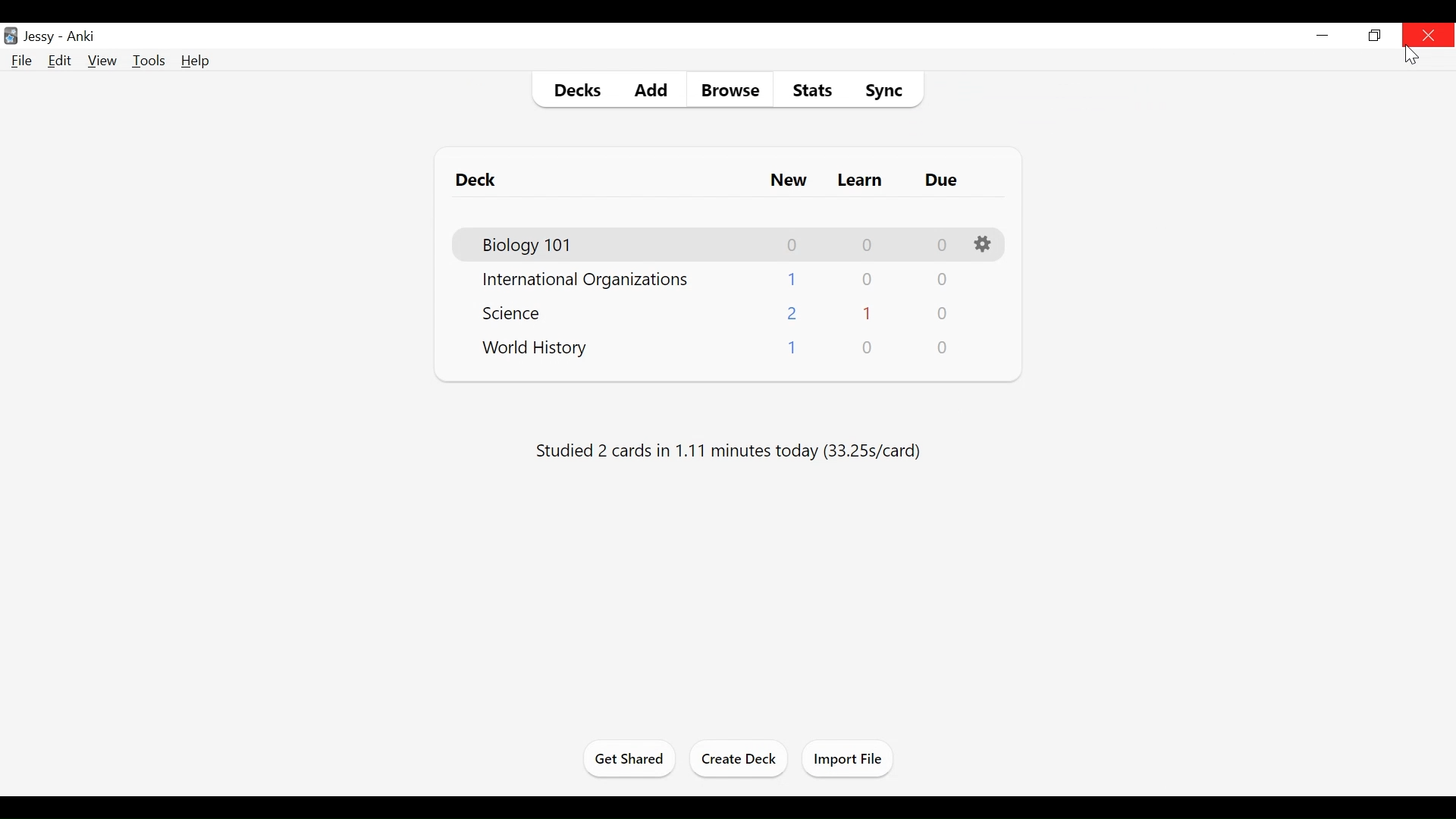 The height and width of the screenshot is (819, 1456). Describe the element at coordinates (868, 349) in the screenshot. I see `Learn Cards Count` at that location.